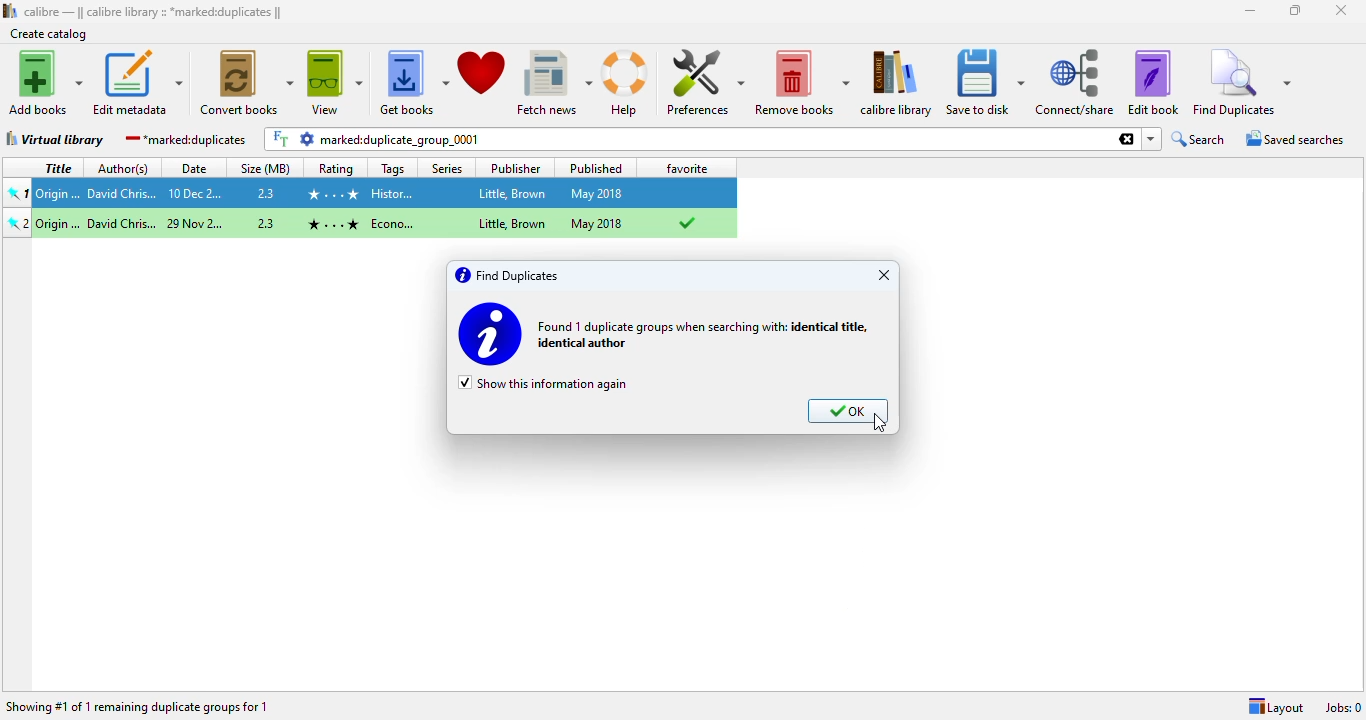 The image size is (1366, 720). What do you see at coordinates (986, 83) in the screenshot?
I see `save to disk` at bounding box center [986, 83].